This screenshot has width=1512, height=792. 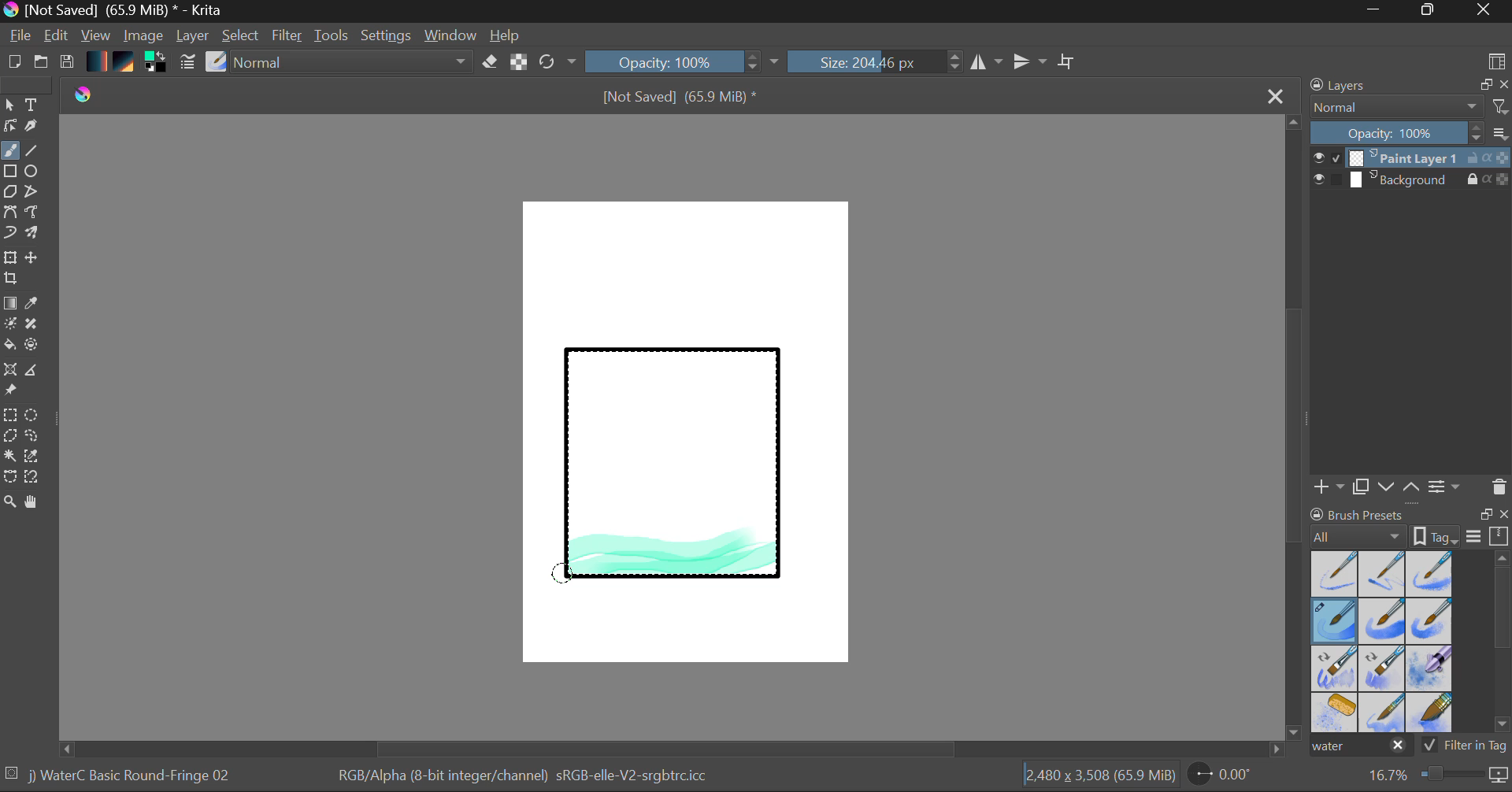 I want to click on Freehand Selection, so click(x=32, y=438).